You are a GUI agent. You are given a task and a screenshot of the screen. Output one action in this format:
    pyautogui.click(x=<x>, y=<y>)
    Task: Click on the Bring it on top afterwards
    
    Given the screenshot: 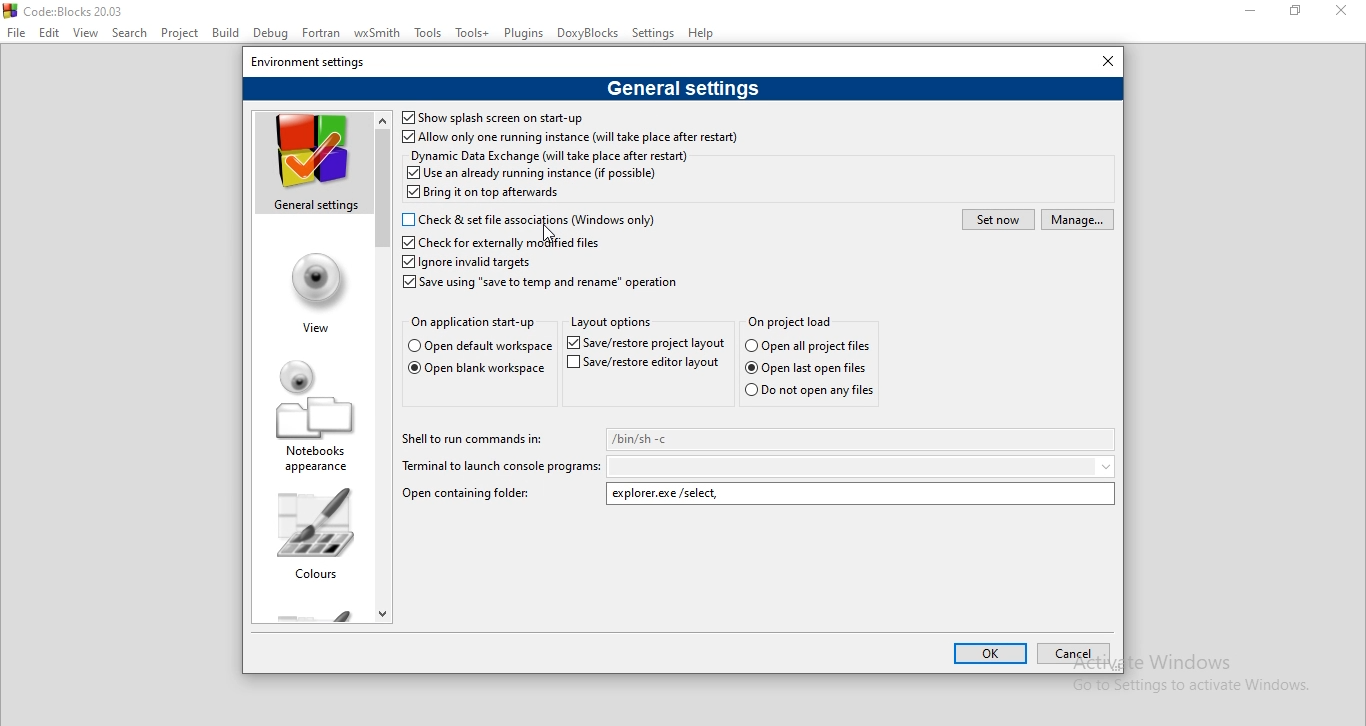 What is the action you would take?
    pyautogui.click(x=486, y=194)
    